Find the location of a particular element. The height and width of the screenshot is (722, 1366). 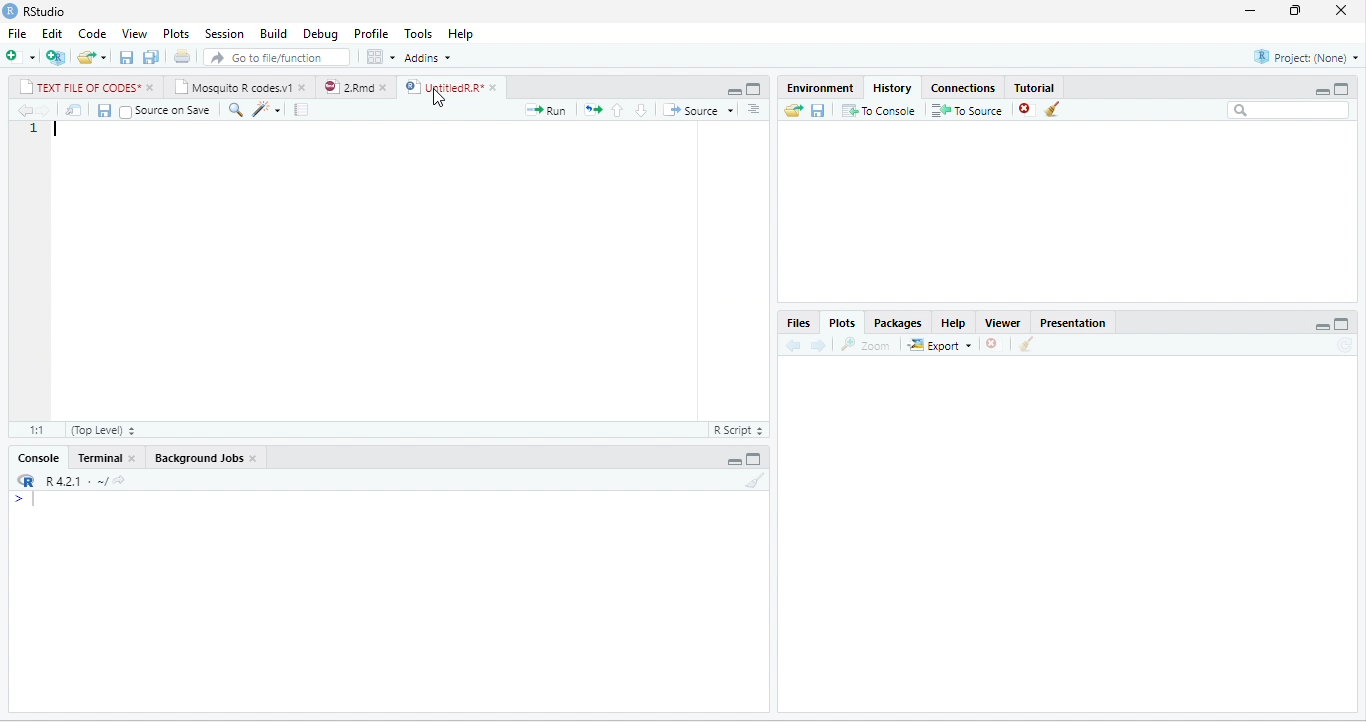

save is located at coordinates (819, 109).